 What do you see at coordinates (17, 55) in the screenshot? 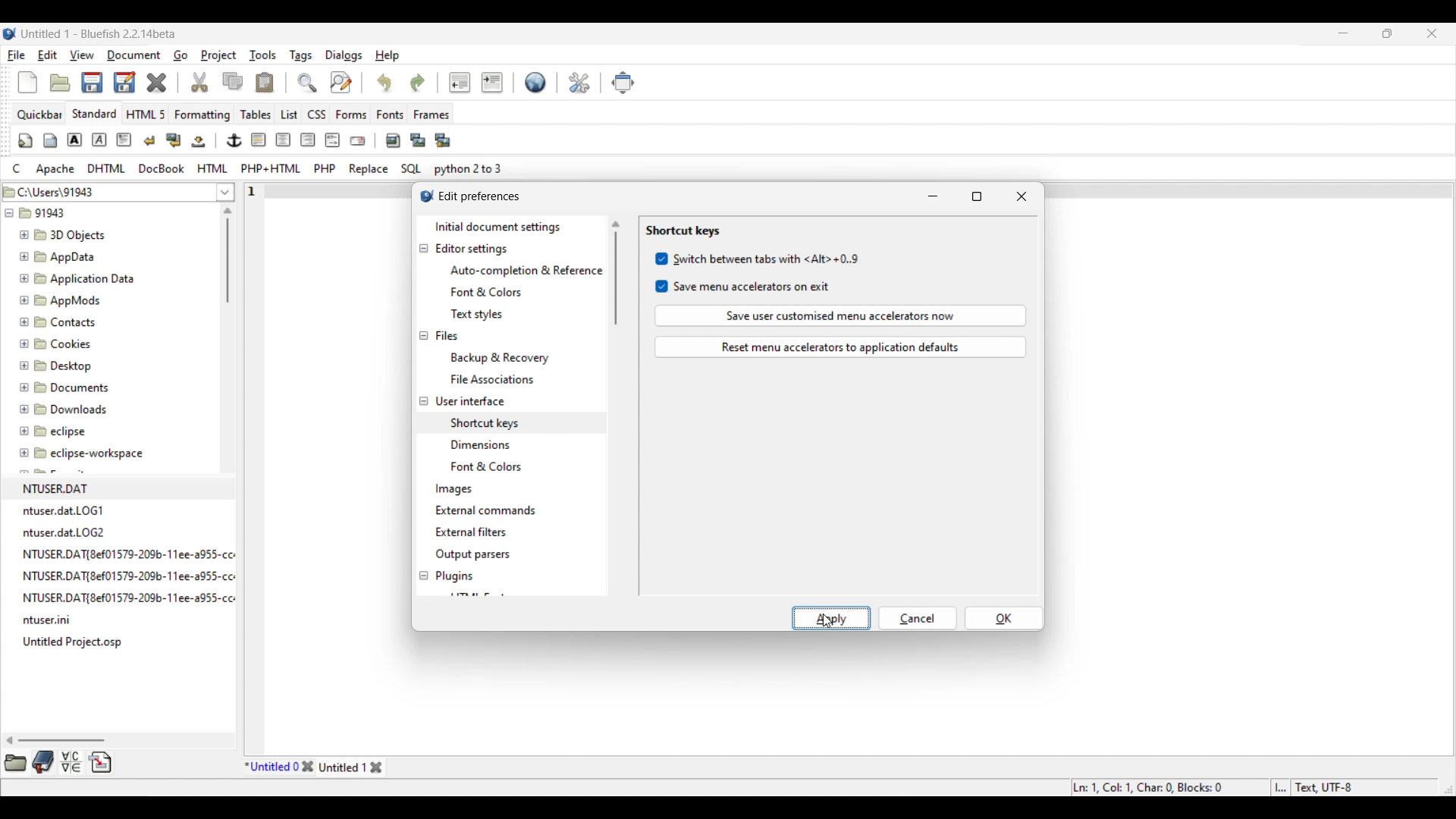
I see `File menu` at bounding box center [17, 55].